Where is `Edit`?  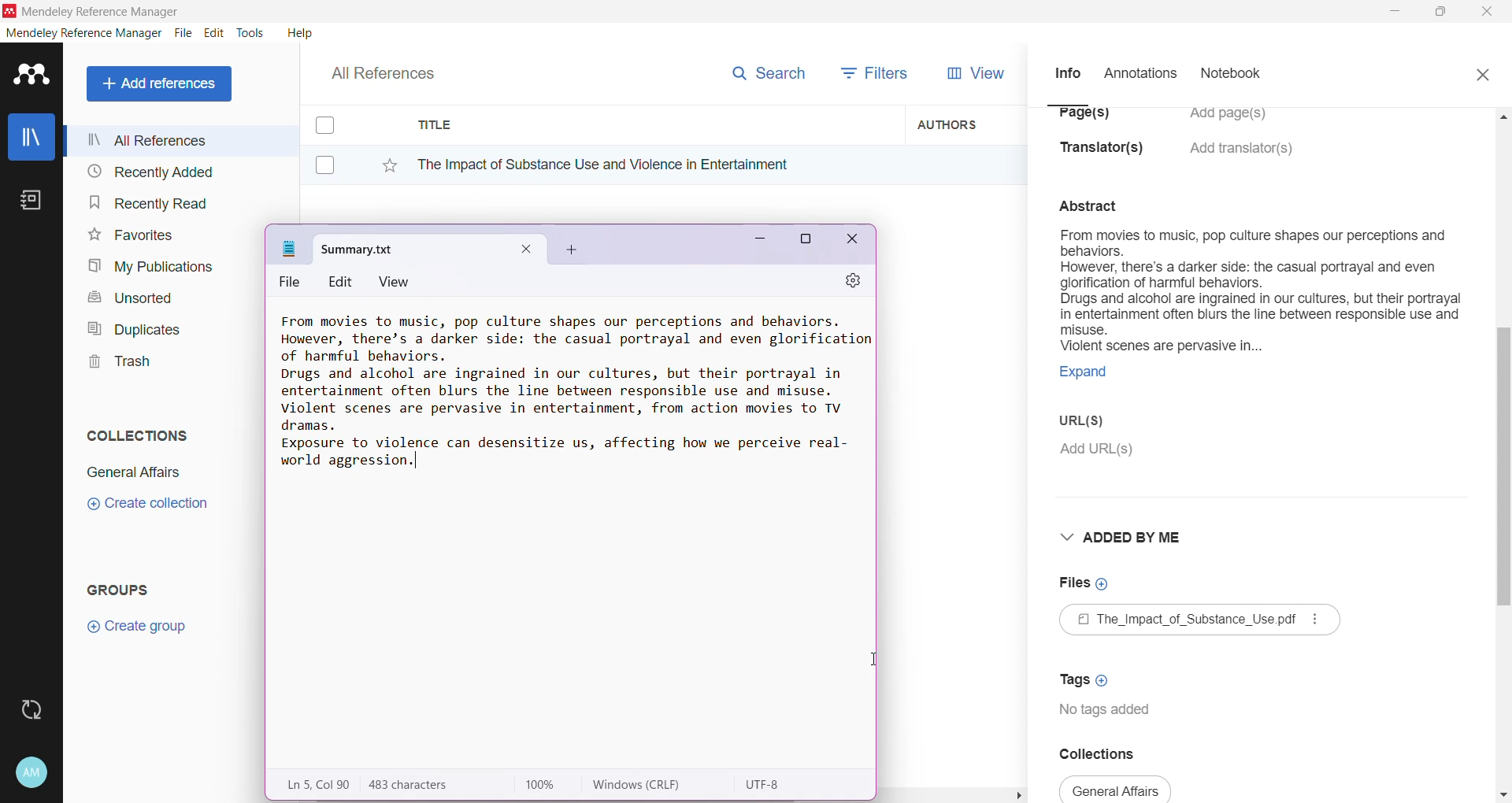 Edit is located at coordinates (342, 280).